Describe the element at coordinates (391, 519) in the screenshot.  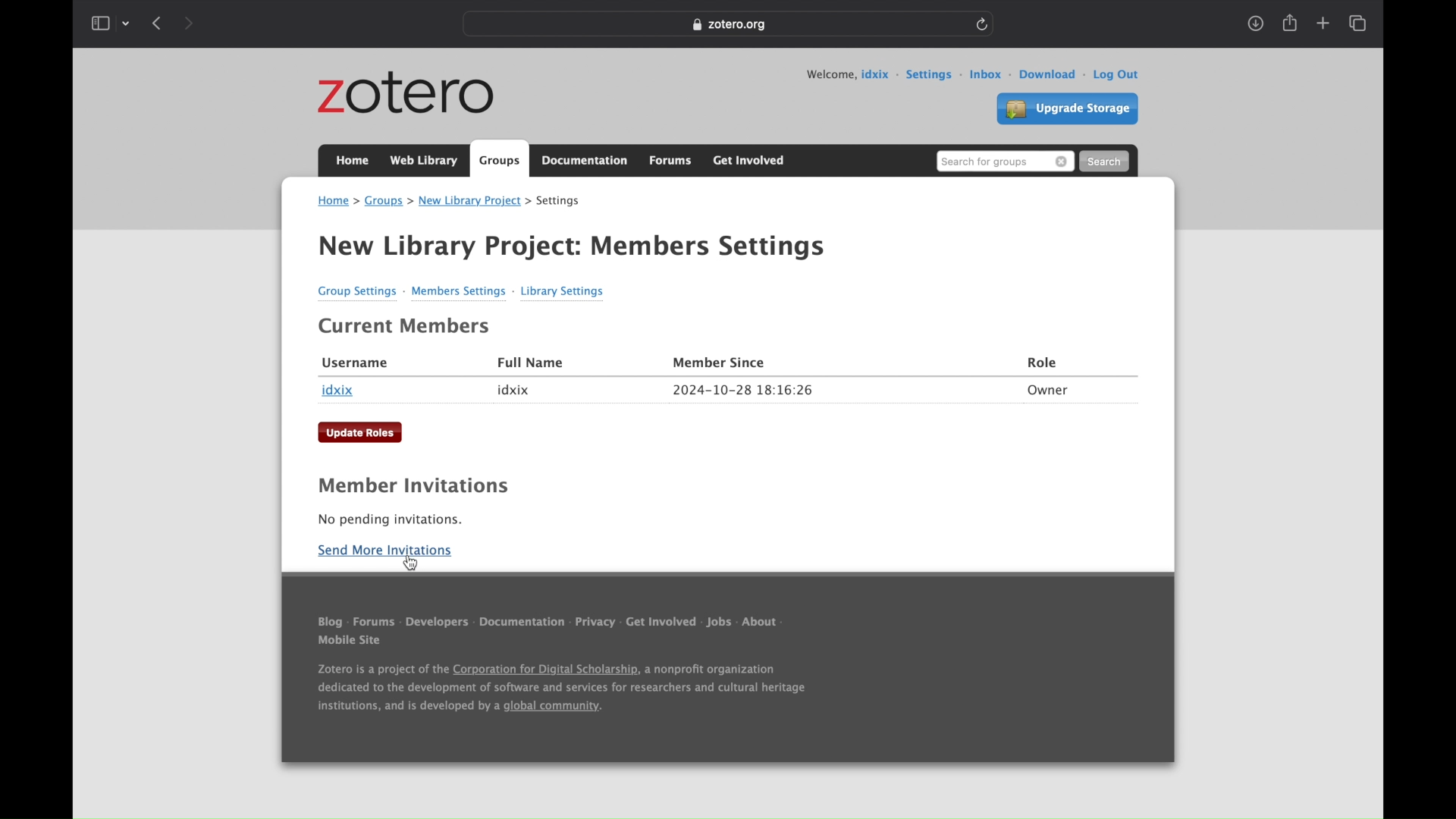
I see `no pending invitations` at that location.